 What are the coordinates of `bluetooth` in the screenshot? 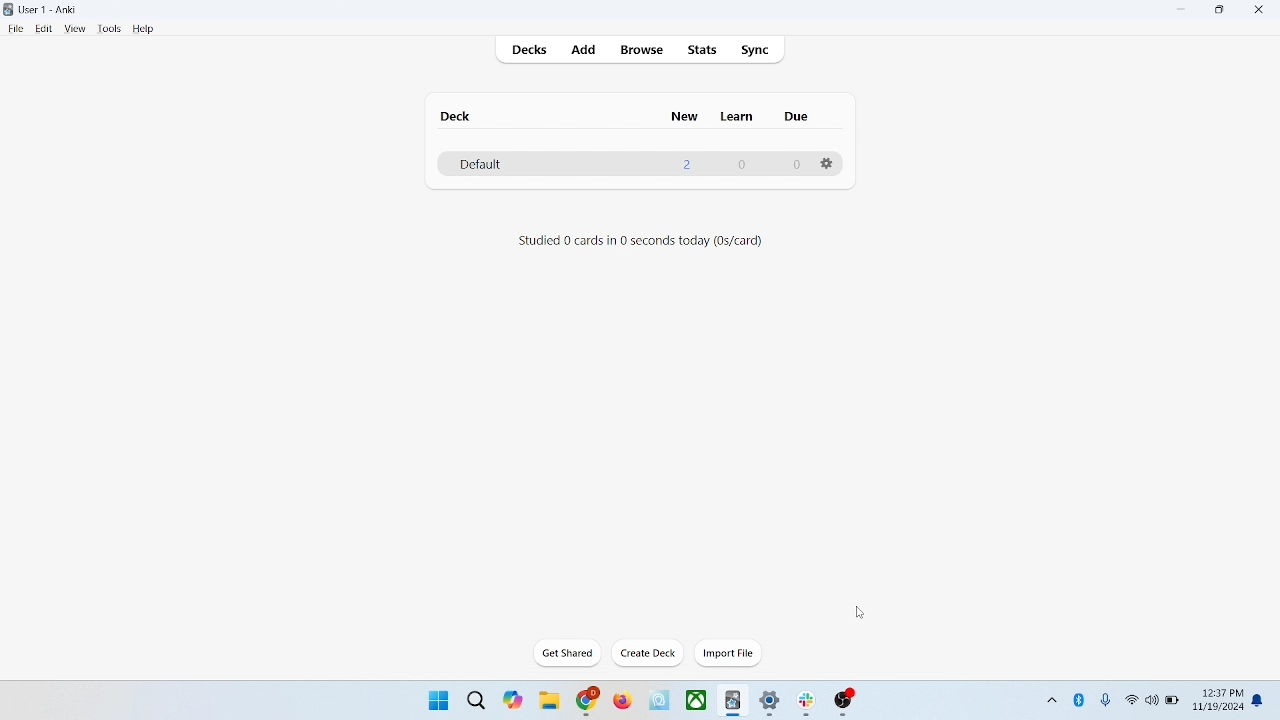 It's located at (1080, 699).